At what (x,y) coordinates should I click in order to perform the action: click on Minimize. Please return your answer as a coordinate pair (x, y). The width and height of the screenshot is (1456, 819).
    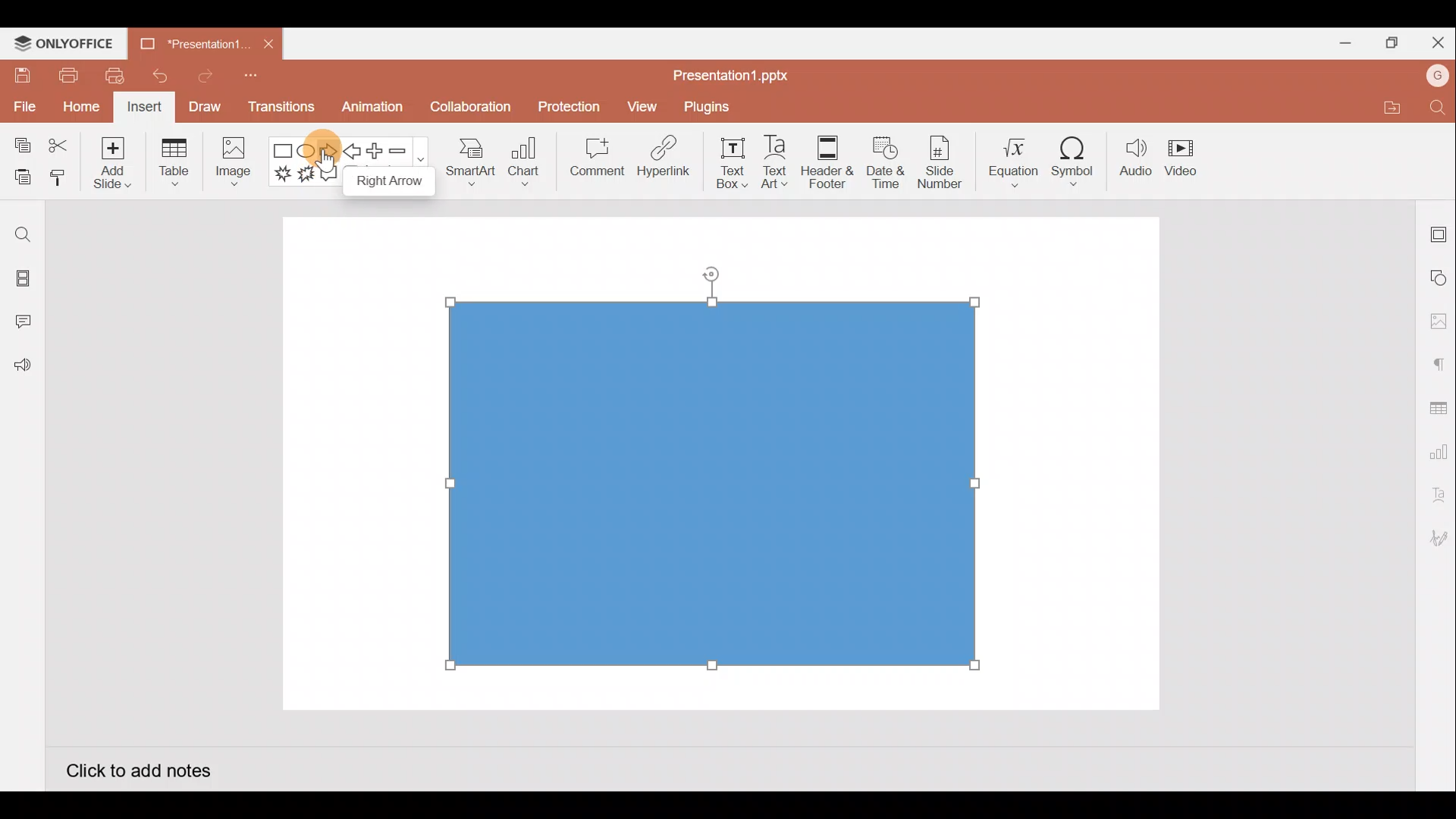
    Looking at the image, I should click on (1339, 40).